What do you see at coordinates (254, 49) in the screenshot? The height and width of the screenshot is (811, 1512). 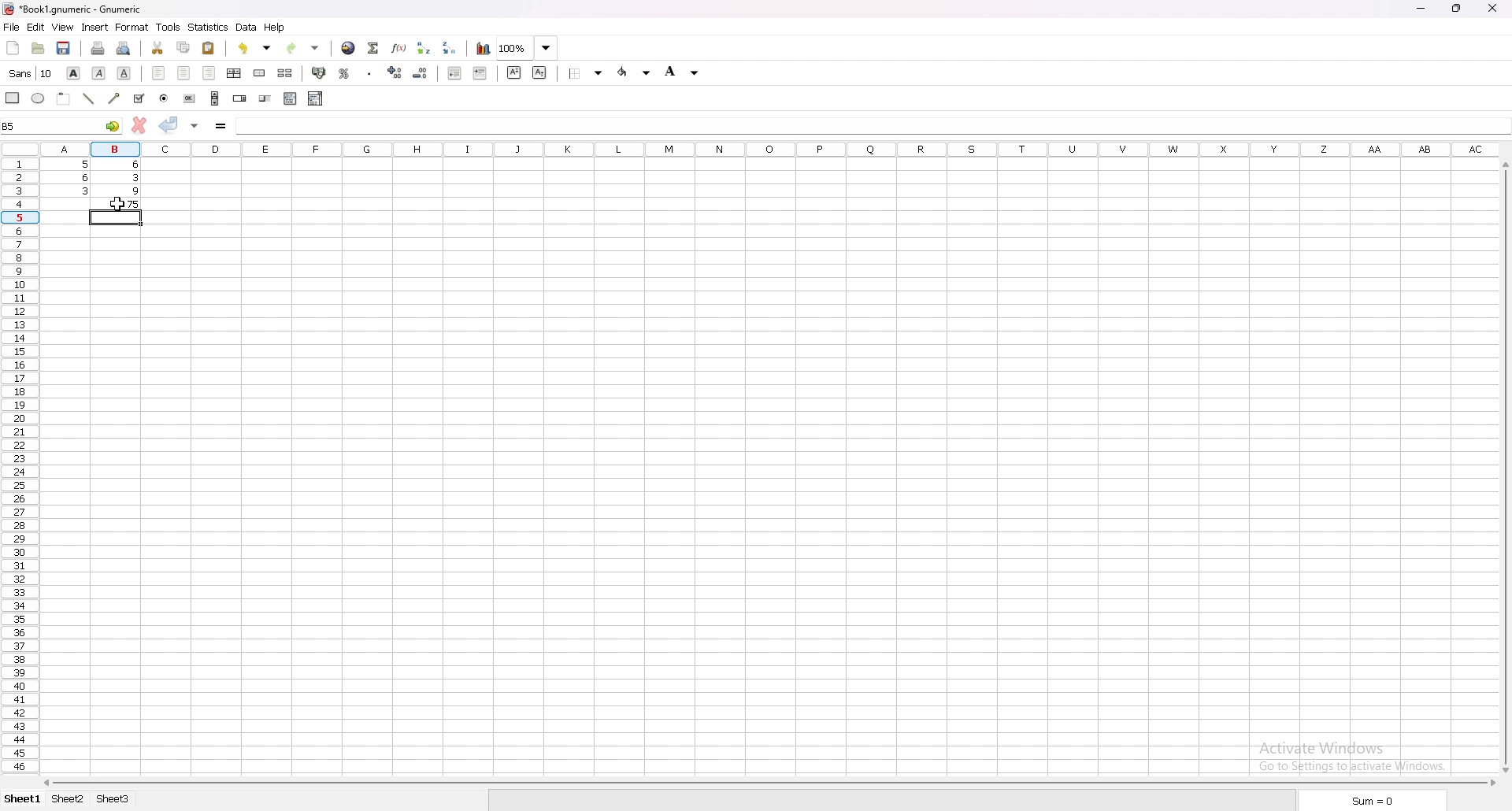 I see `undo` at bounding box center [254, 49].